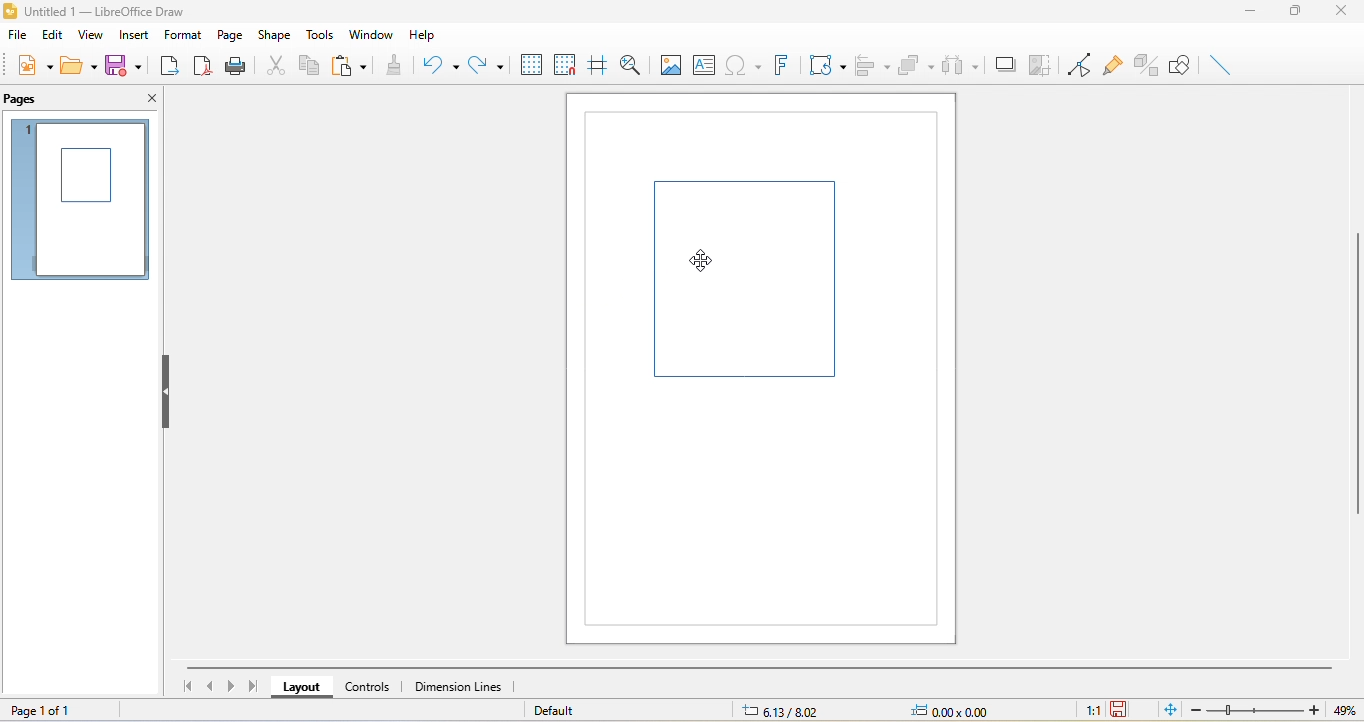 This screenshot has height=722, width=1364. What do you see at coordinates (918, 66) in the screenshot?
I see `arrange` at bounding box center [918, 66].